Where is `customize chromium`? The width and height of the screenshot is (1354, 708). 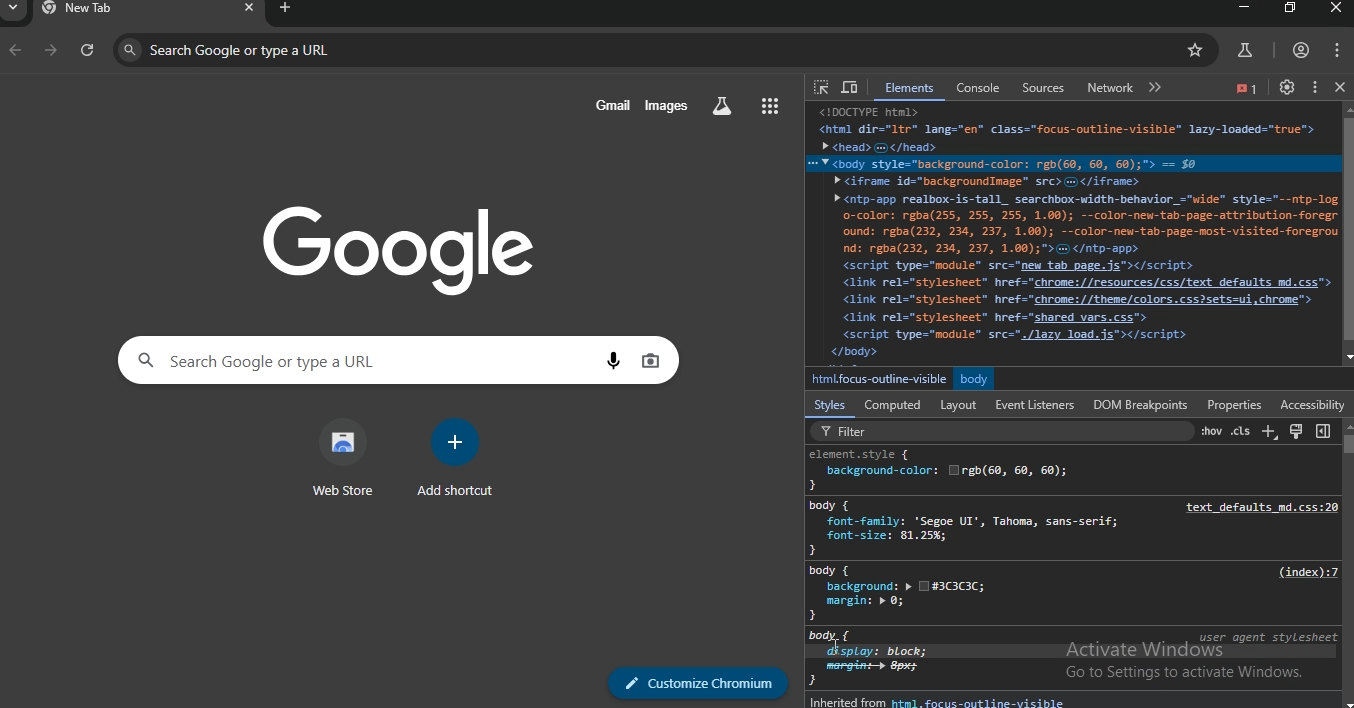 customize chromium is located at coordinates (696, 679).